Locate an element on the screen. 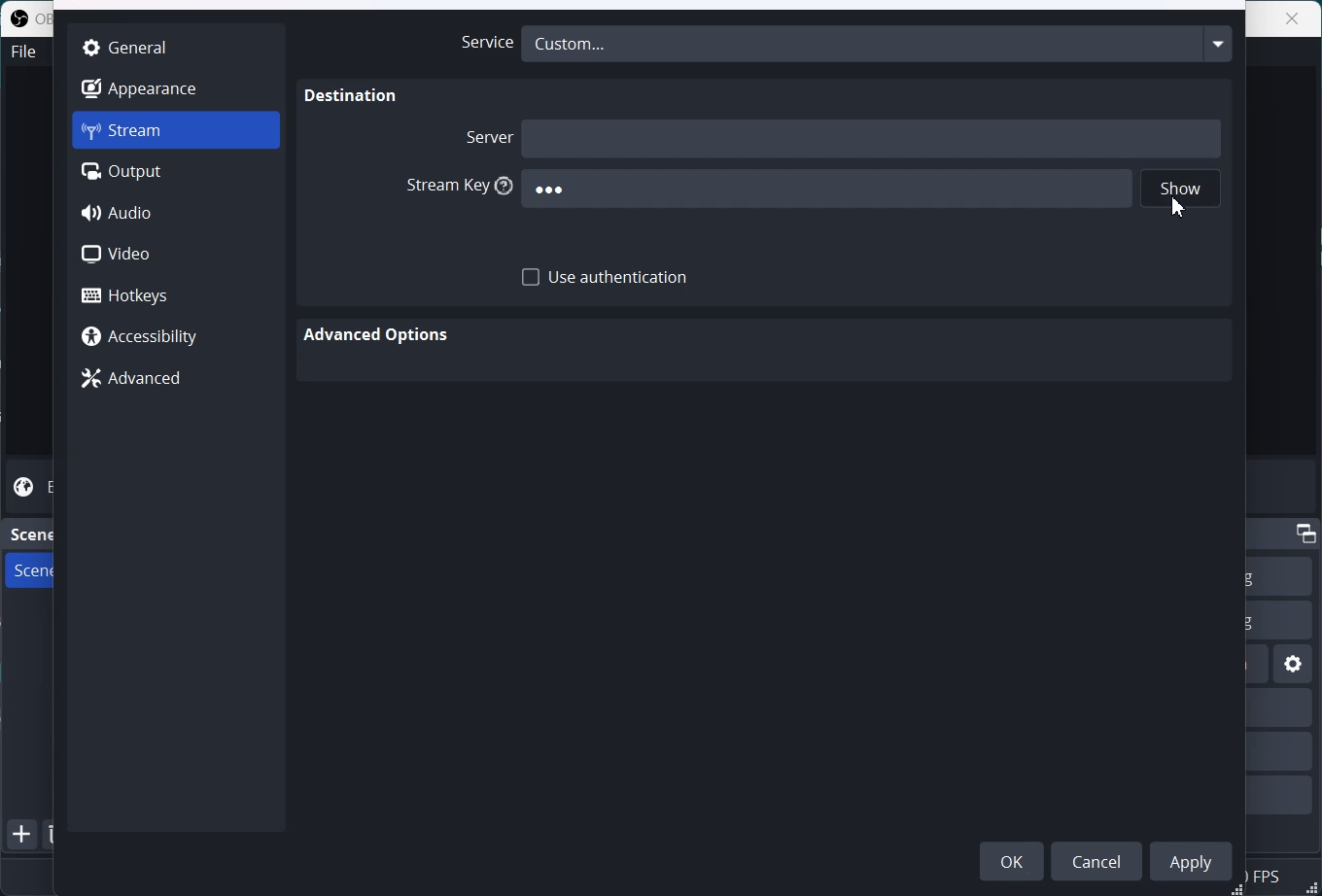 Image resolution: width=1322 pixels, height=896 pixels. Stream key input is located at coordinates (825, 190).